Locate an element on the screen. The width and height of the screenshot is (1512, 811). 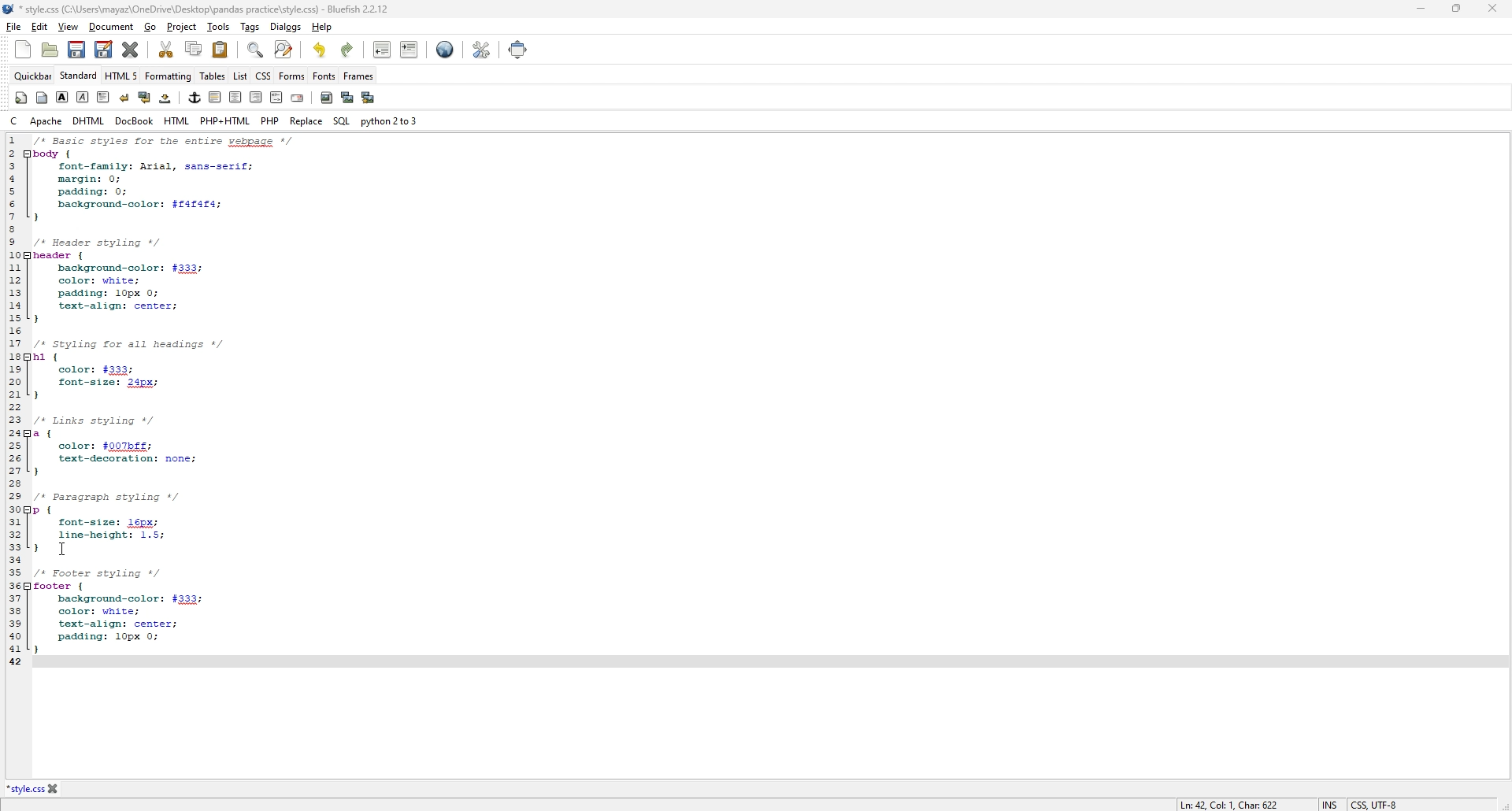
find bar is located at coordinates (254, 50).